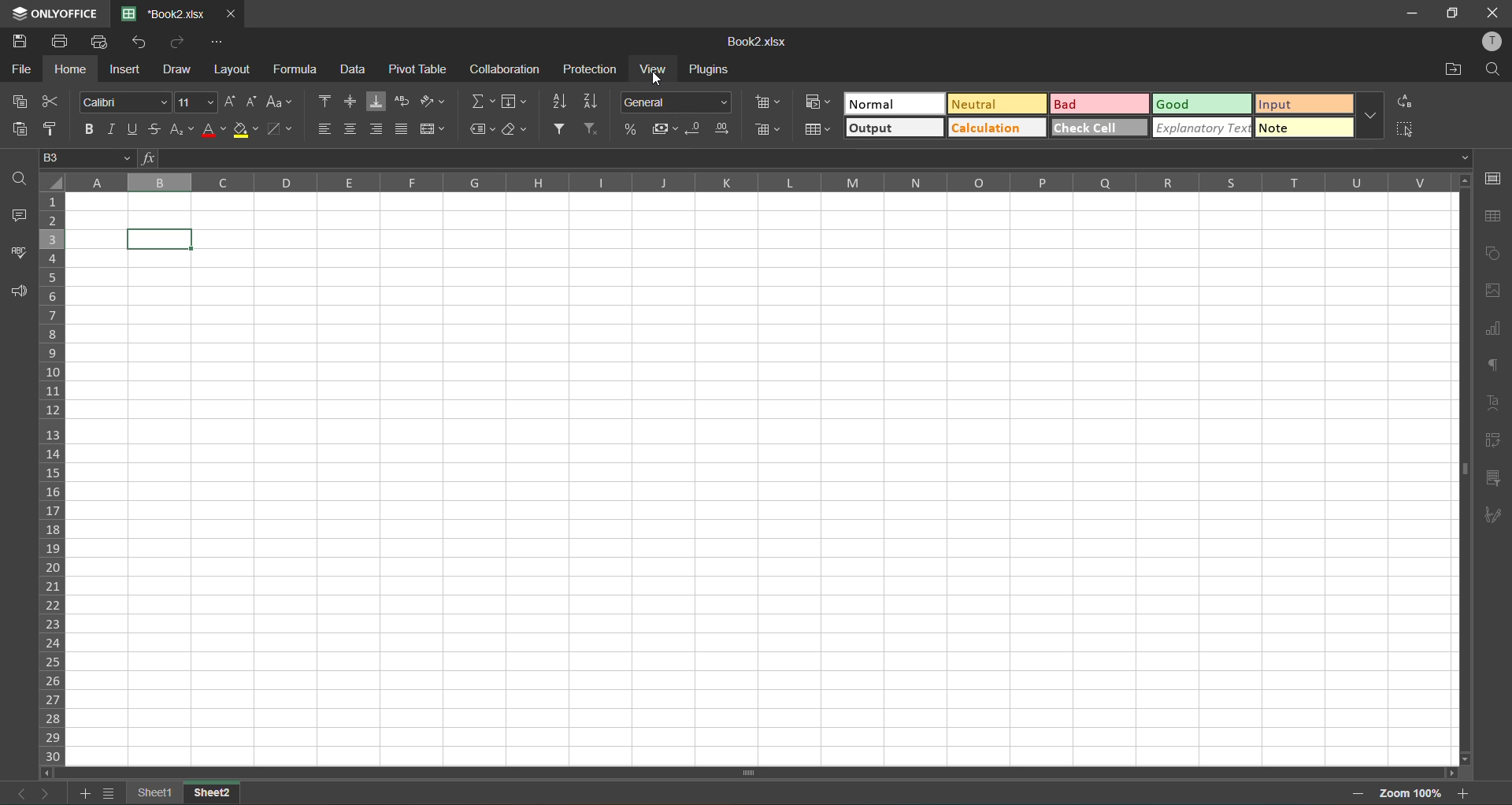  I want to click on book2.xlsx, so click(760, 43).